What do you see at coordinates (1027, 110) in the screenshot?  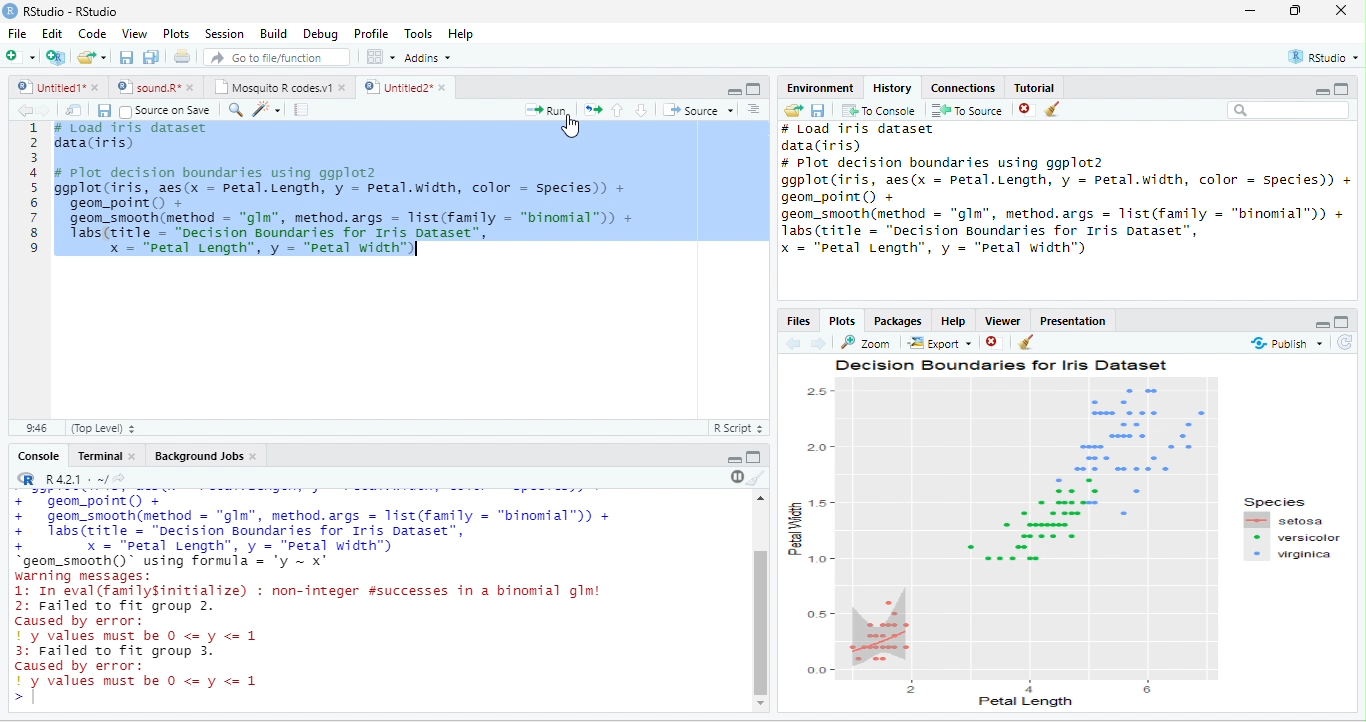 I see `close file` at bounding box center [1027, 110].